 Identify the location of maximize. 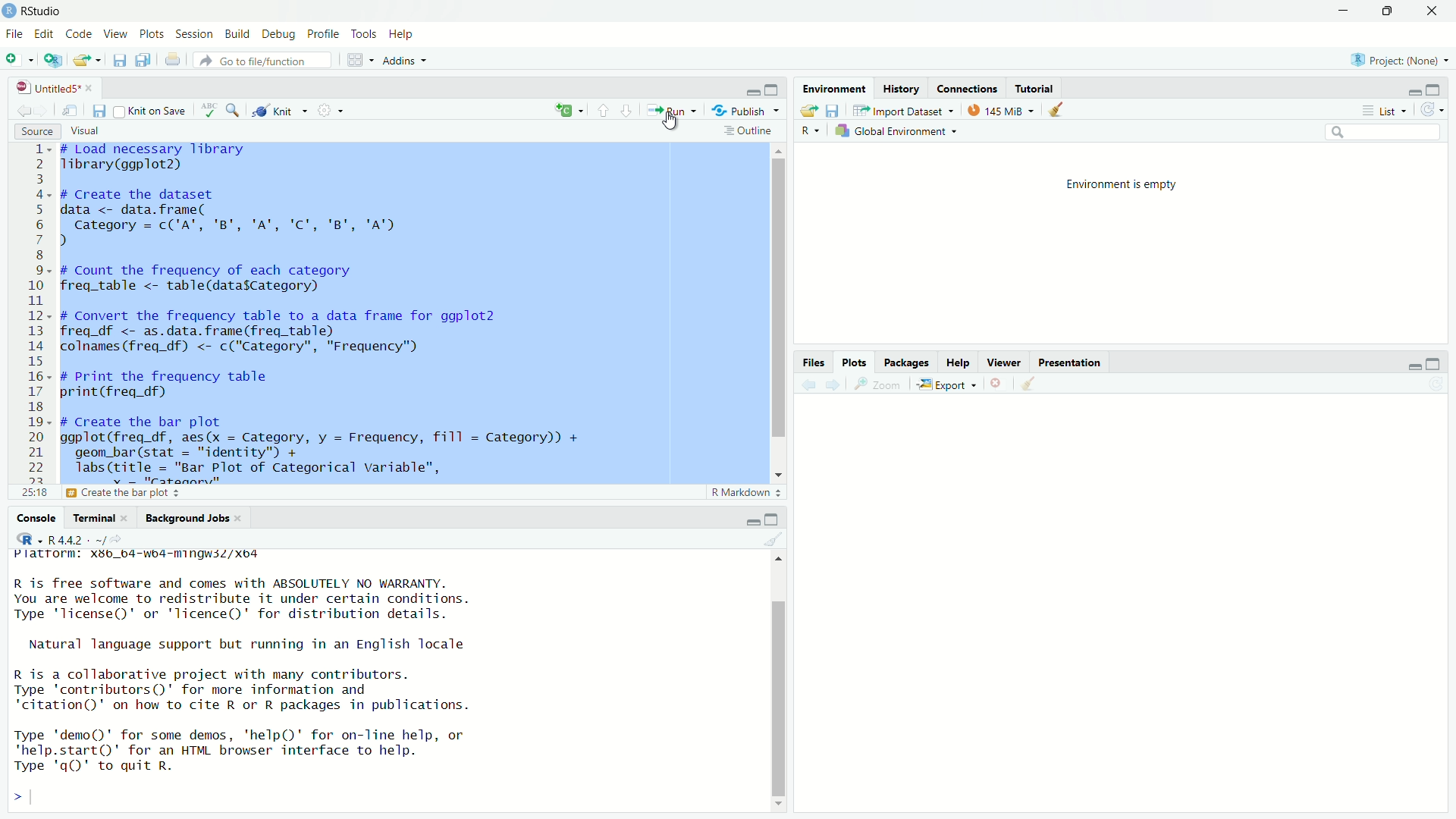
(1435, 365).